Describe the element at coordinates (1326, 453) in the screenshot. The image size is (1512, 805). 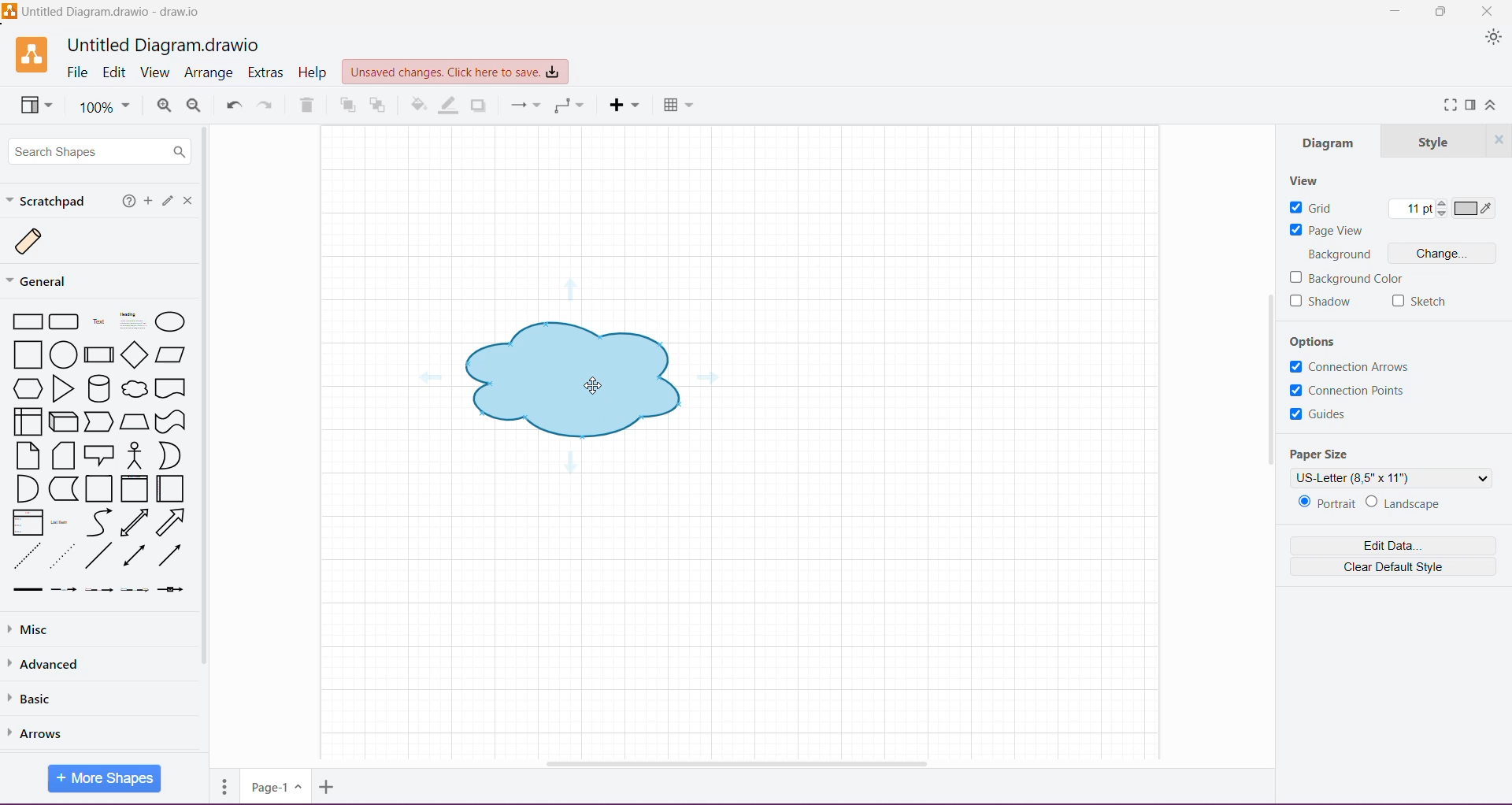
I see `Page Size` at that location.